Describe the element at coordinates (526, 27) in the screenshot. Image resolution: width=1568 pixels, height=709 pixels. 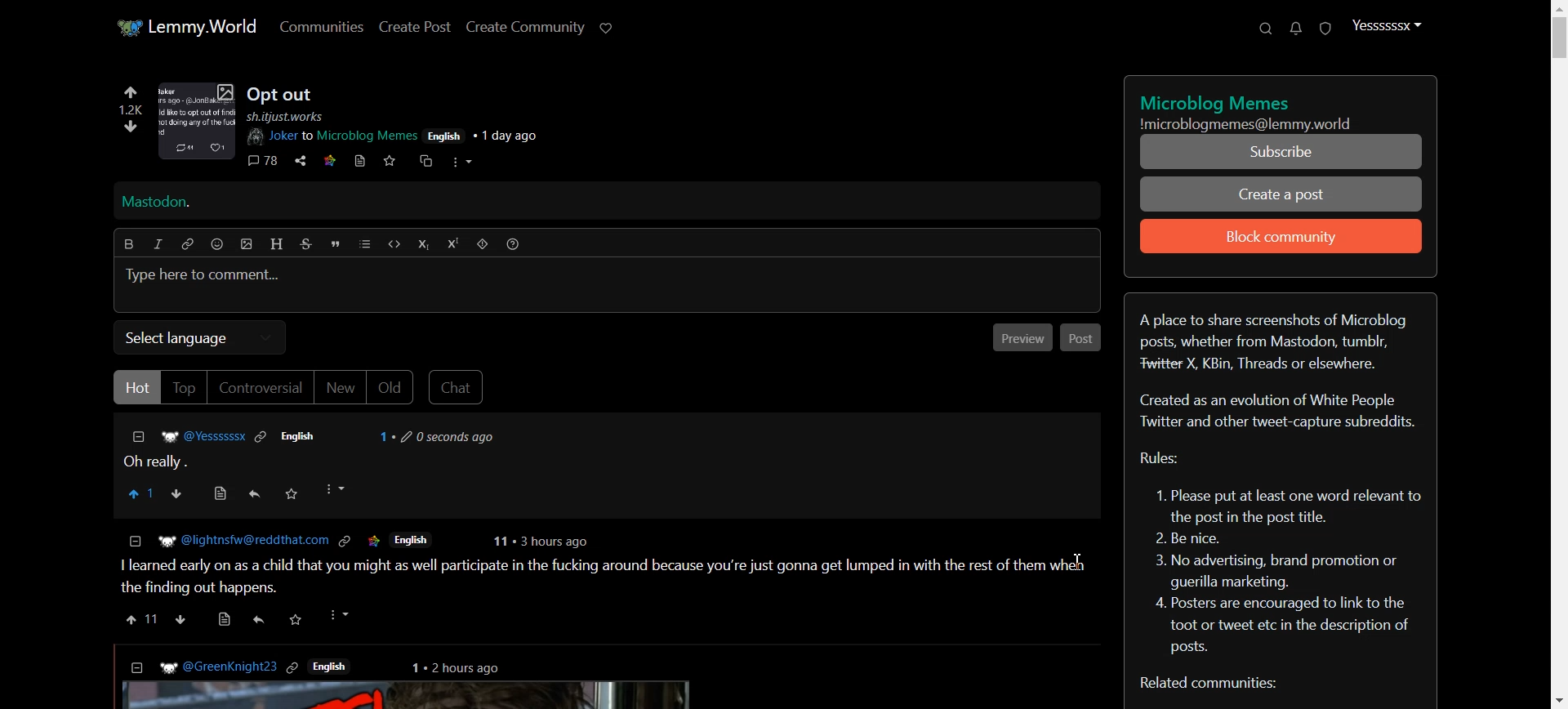
I see `Create Community` at that location.